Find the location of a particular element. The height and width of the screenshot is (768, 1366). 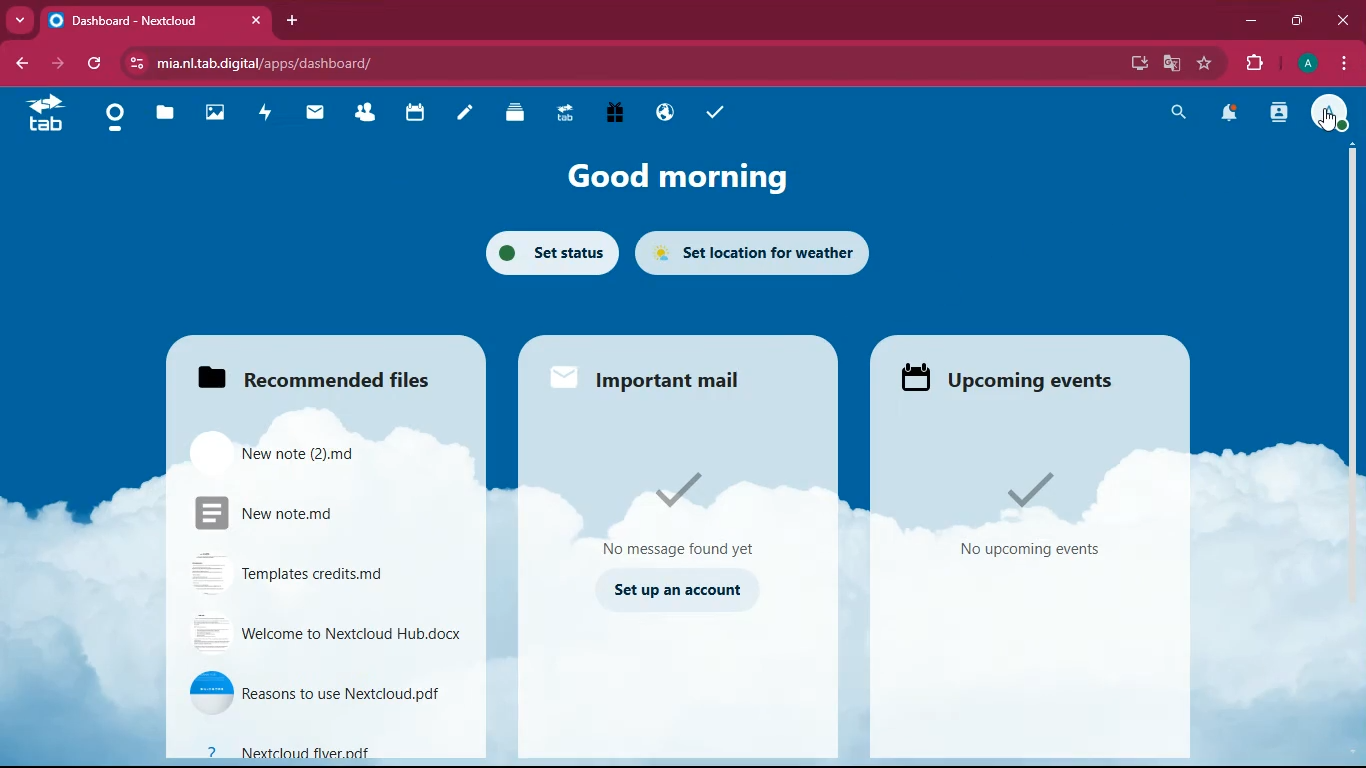

back is located at coordinates (20, 64).